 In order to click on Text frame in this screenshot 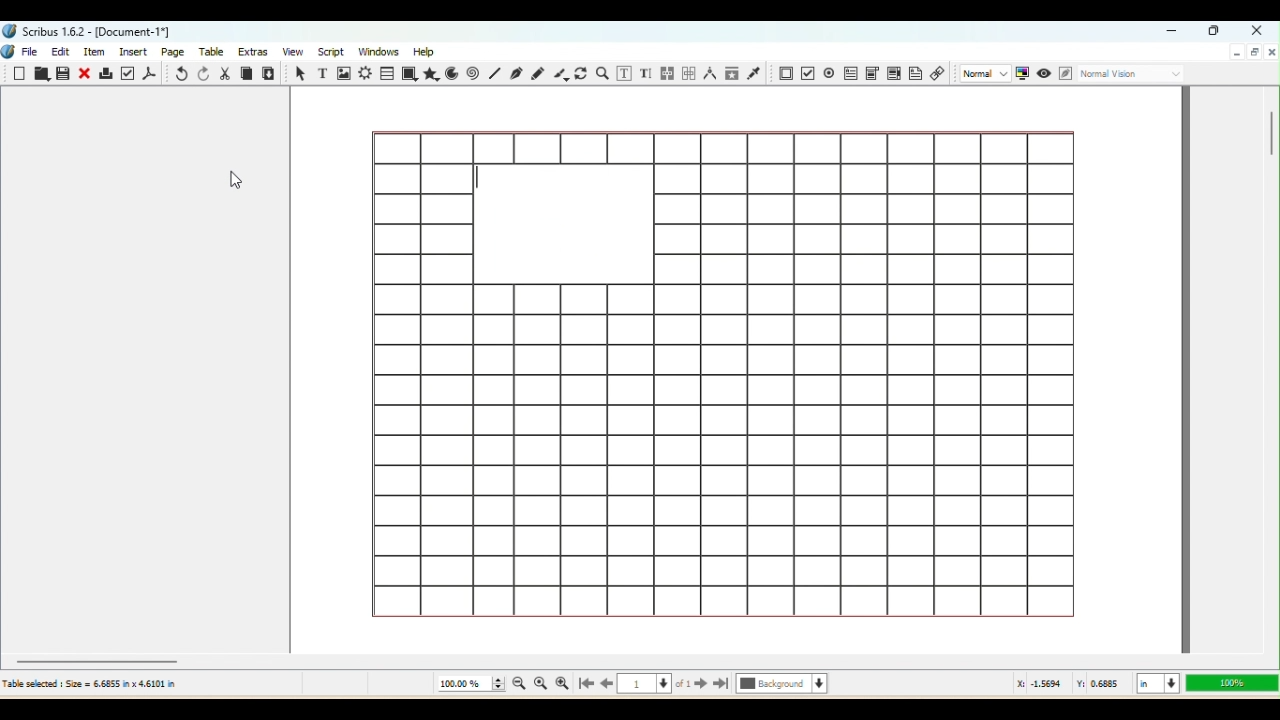, I will do `click(320, 72)`.